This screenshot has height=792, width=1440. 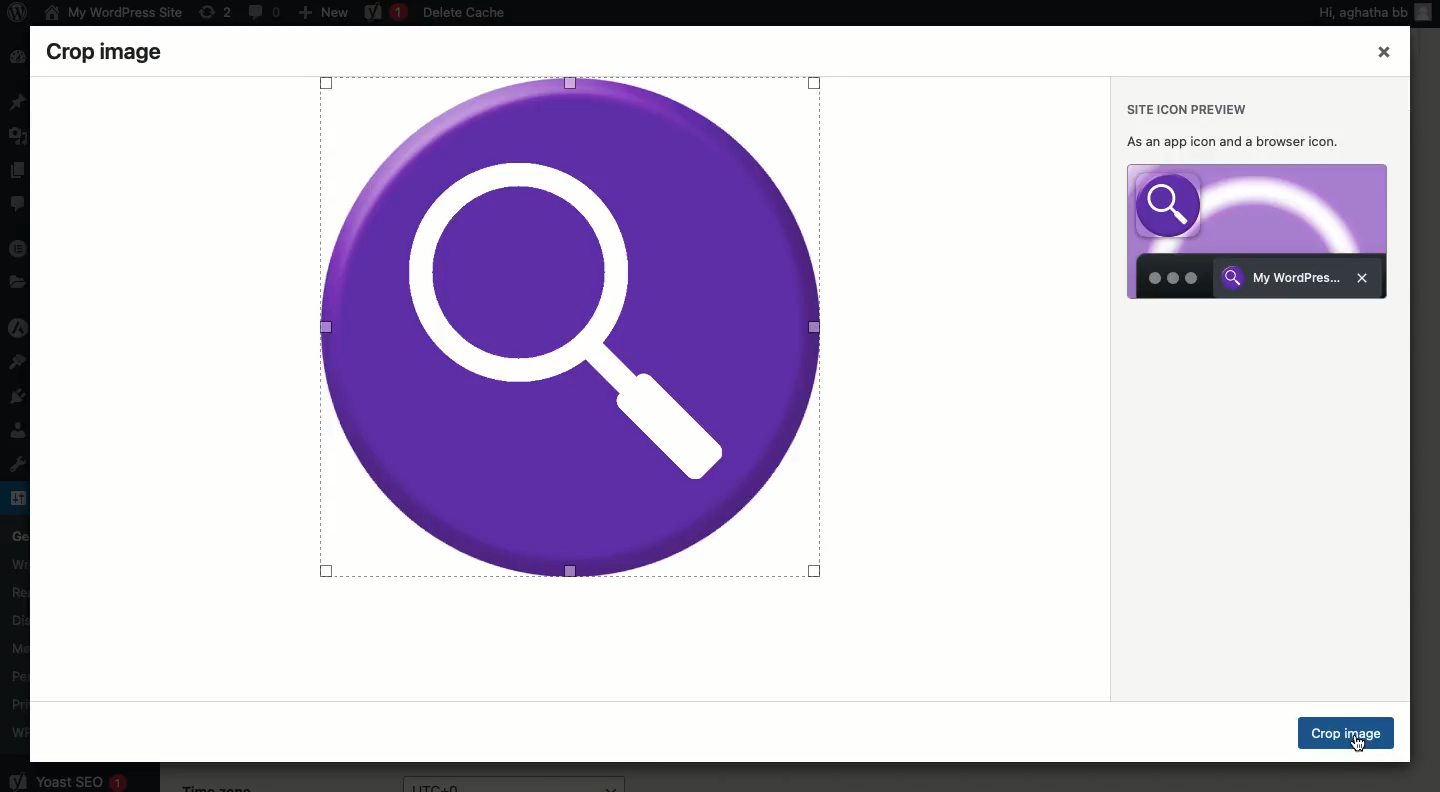 What do you see at coordinates (19, 207) in the screenshot?
I see `Comment` at bounding box center [19, 207].